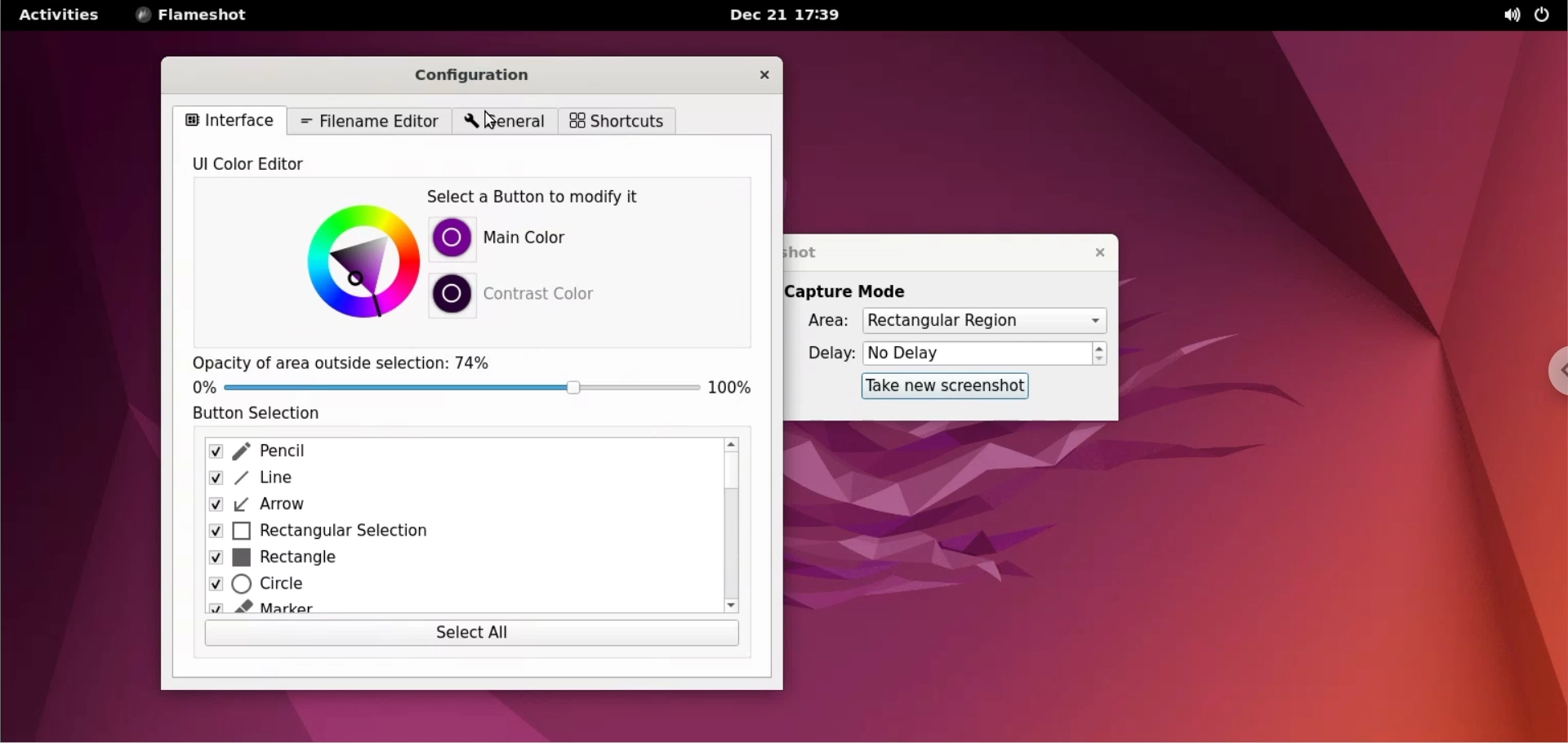 The width and height of the screenshot is (1568, 743). Describe the element at coordinates (234, 121) in the screenshot. I see `interface ` at that location.